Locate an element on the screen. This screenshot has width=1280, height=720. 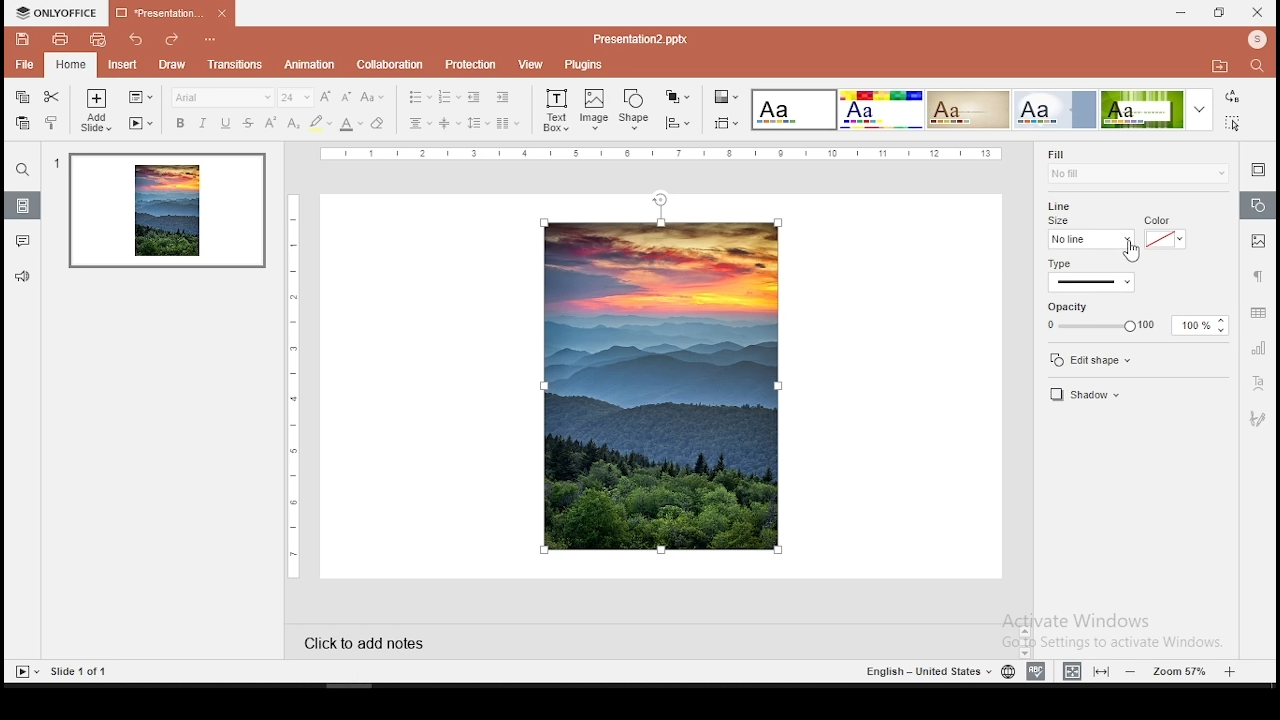
print file is located at coordinates (54, 39).